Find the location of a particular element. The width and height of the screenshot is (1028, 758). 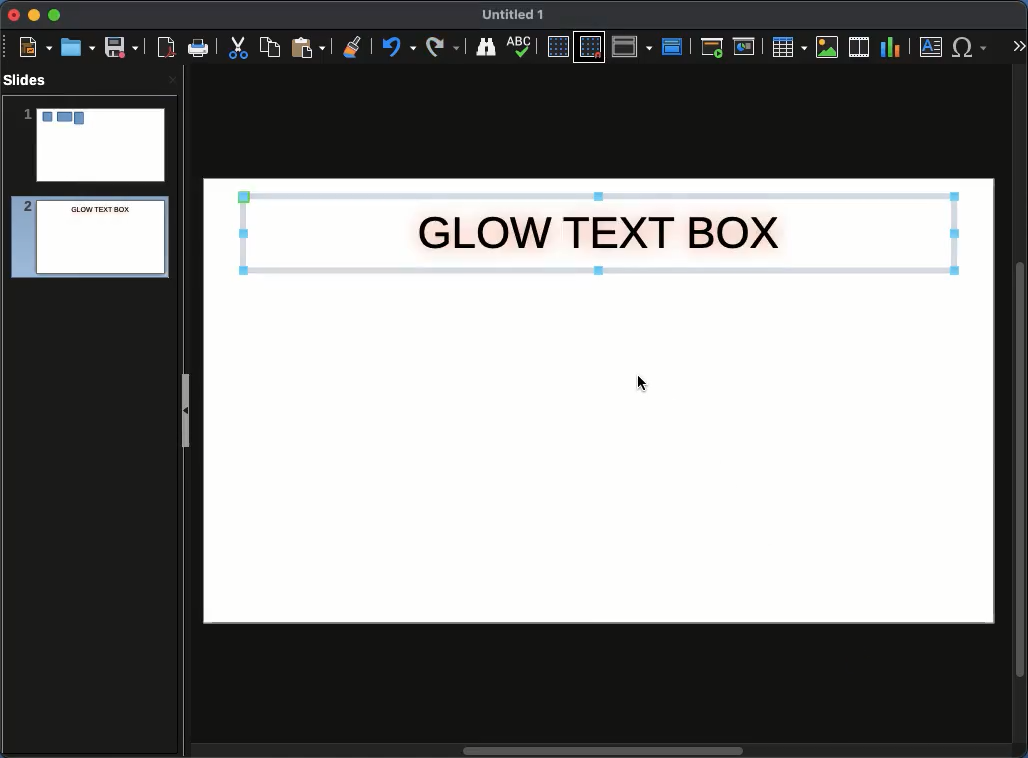

vertical scroll bar is located at coordinates (602, 751).